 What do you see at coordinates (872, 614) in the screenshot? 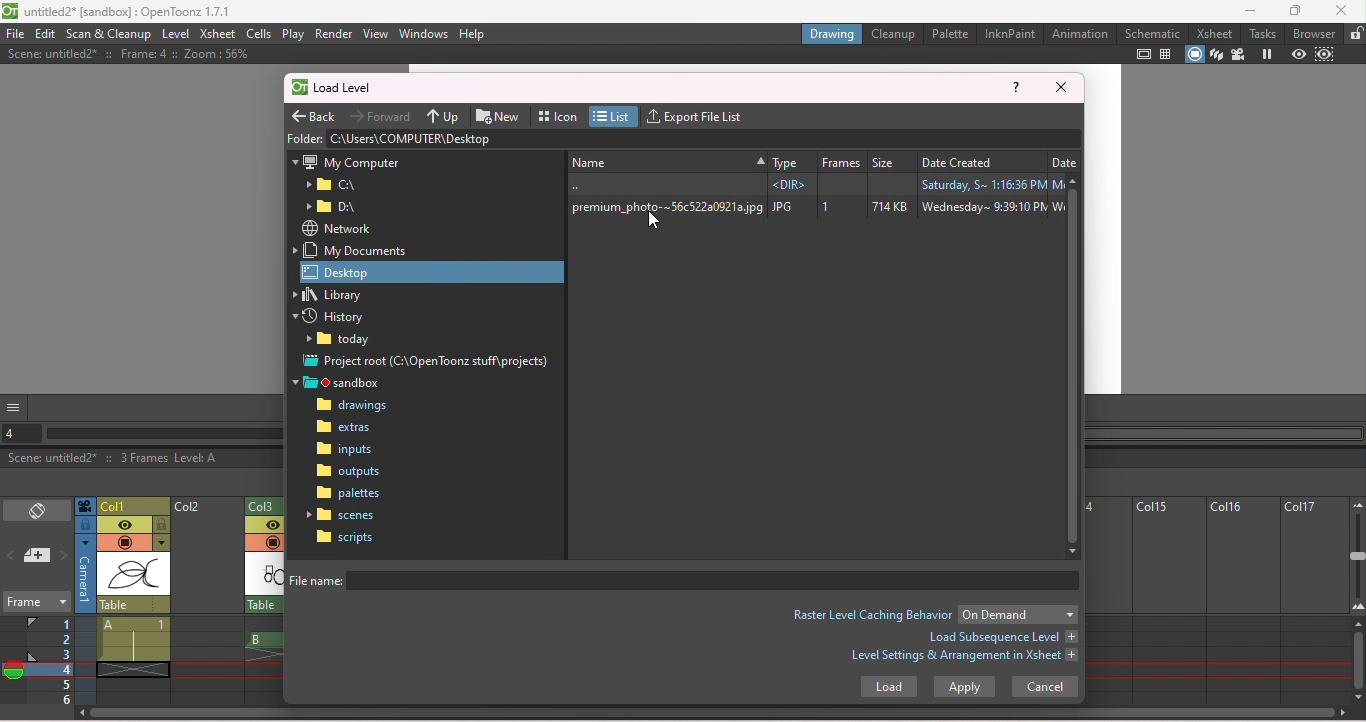
I see `Raster level caching behvior` at bounding box center [872, 614].